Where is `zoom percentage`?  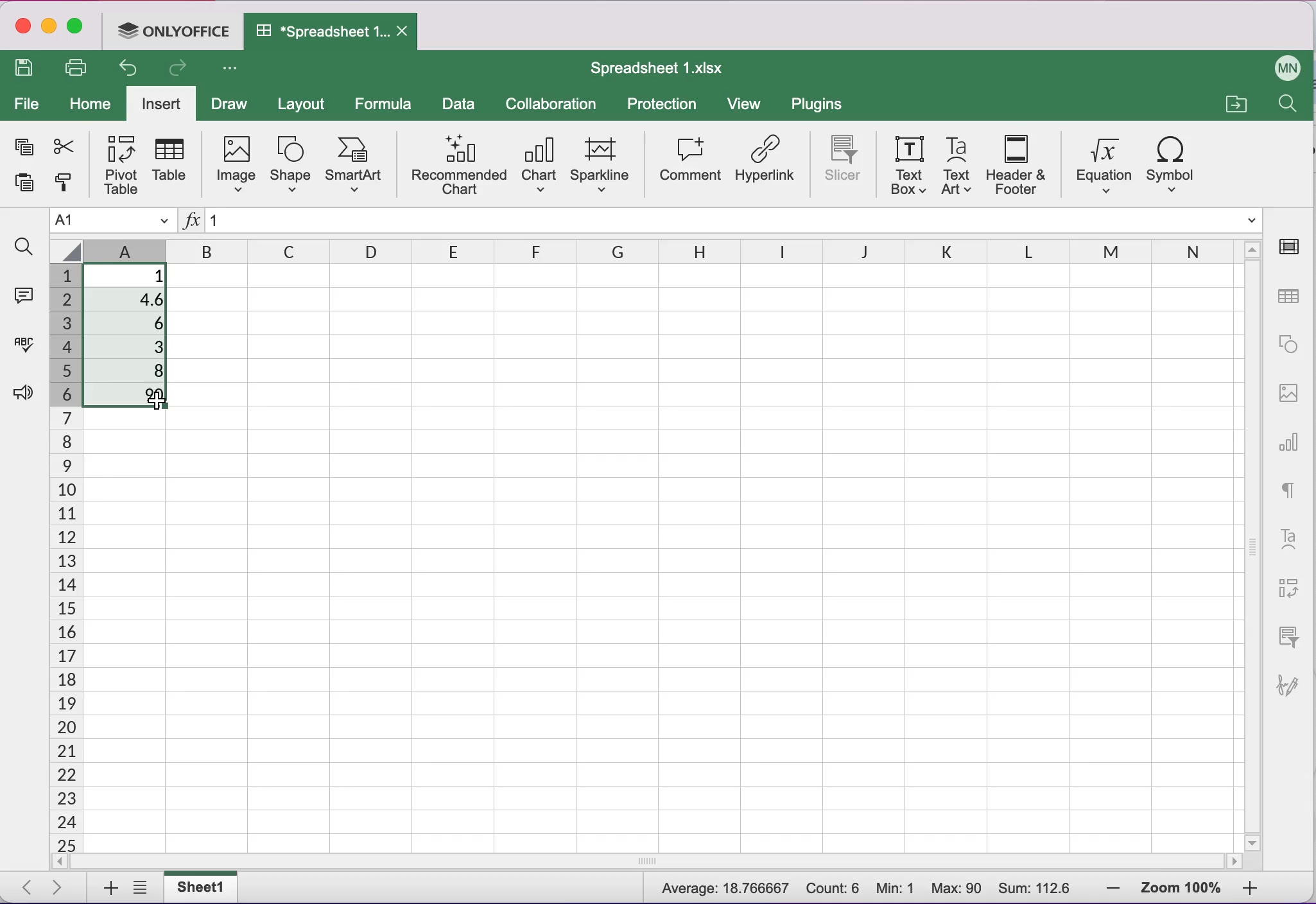 zoom percentage is located at coordinates (1182, 887).